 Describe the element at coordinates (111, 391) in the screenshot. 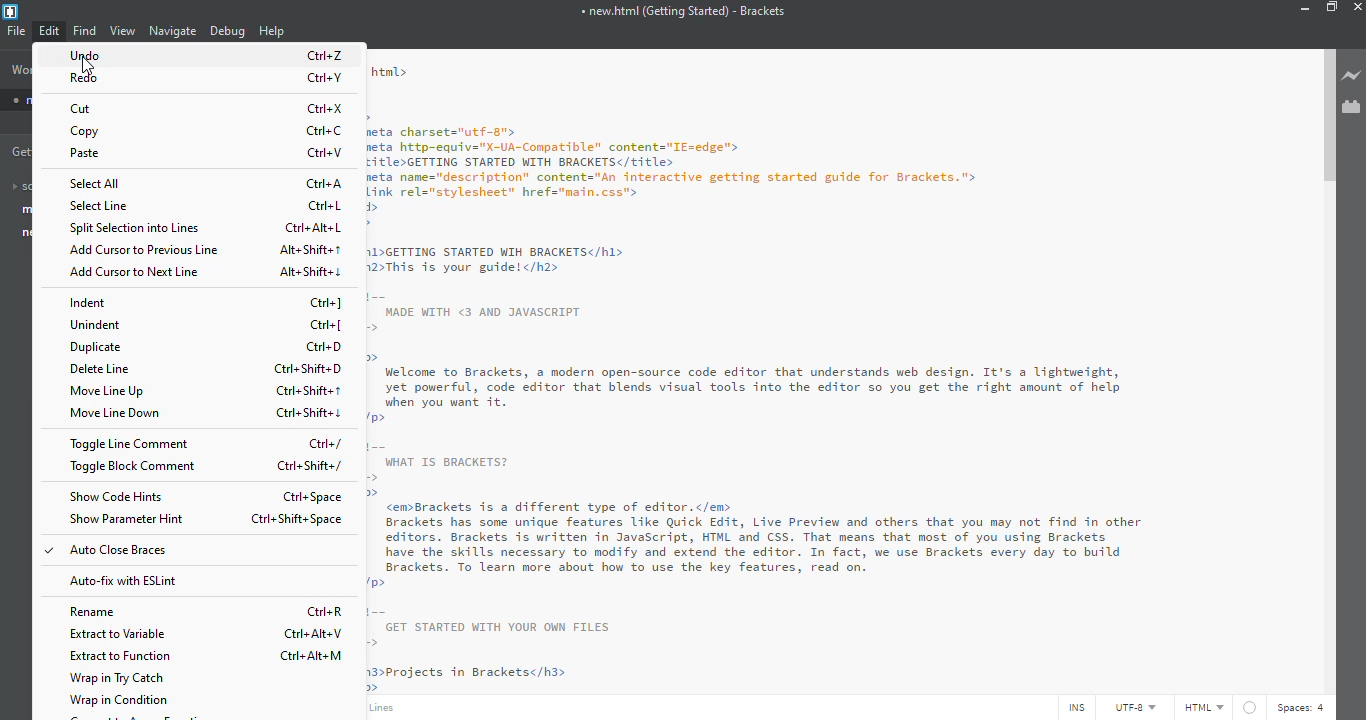

I see `move line up` at that location.